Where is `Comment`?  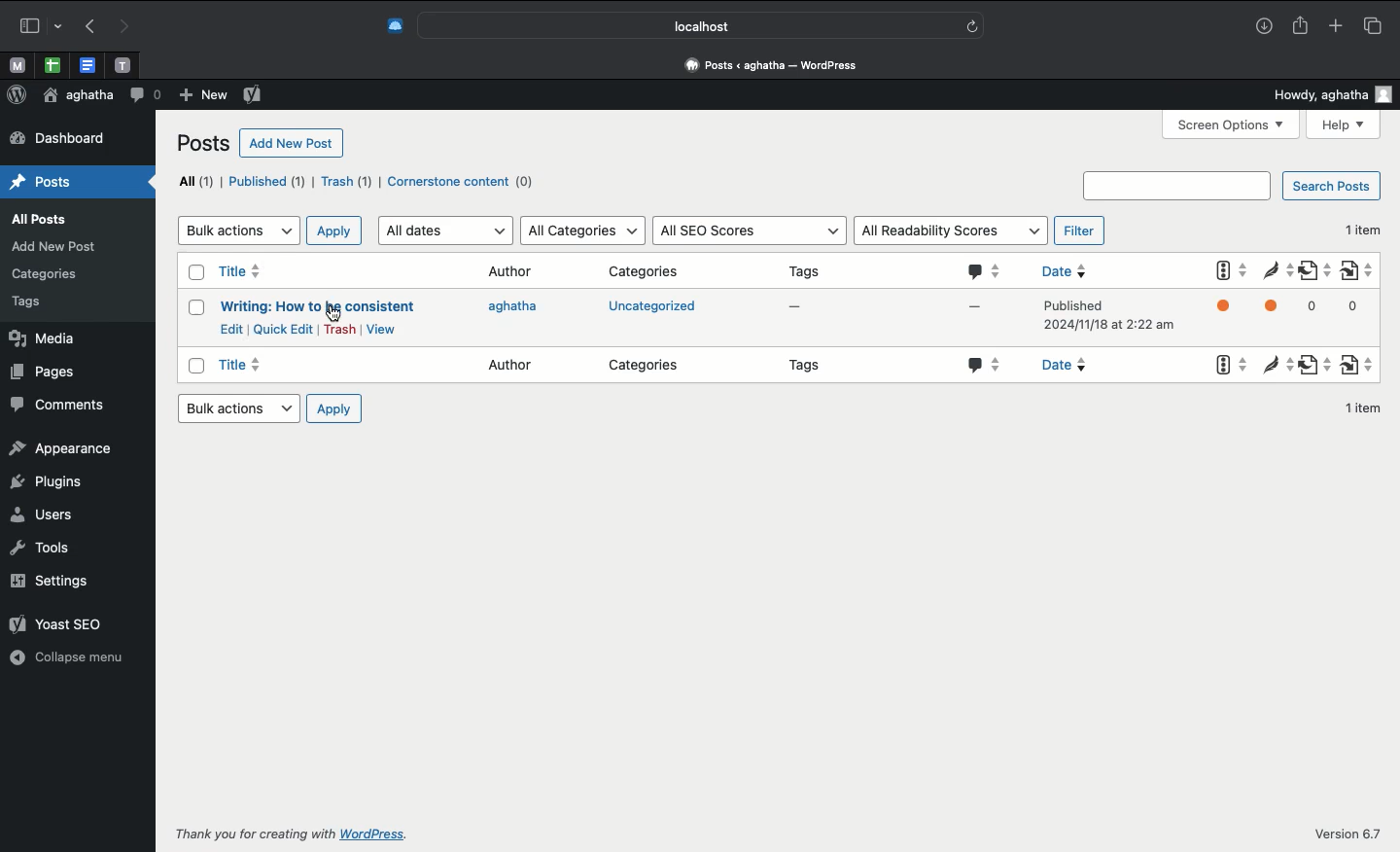
Comment is located at coordinates (146, 96).